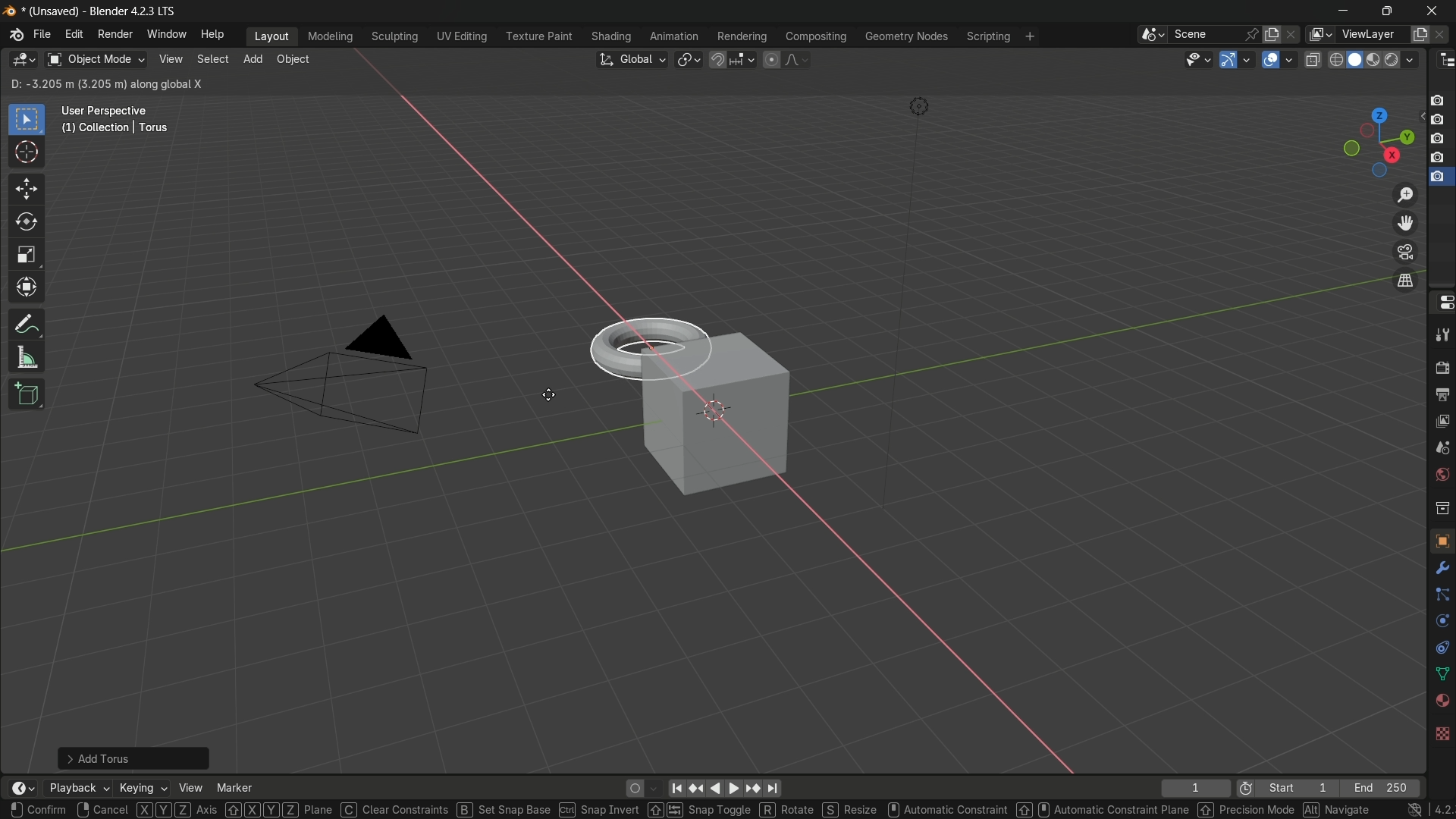 This screenshot has width=1456, height=819. What do you see at coordinates (1302, 789) in the screenshot?
I see `Start 1` at bounding box center [1302, 789].